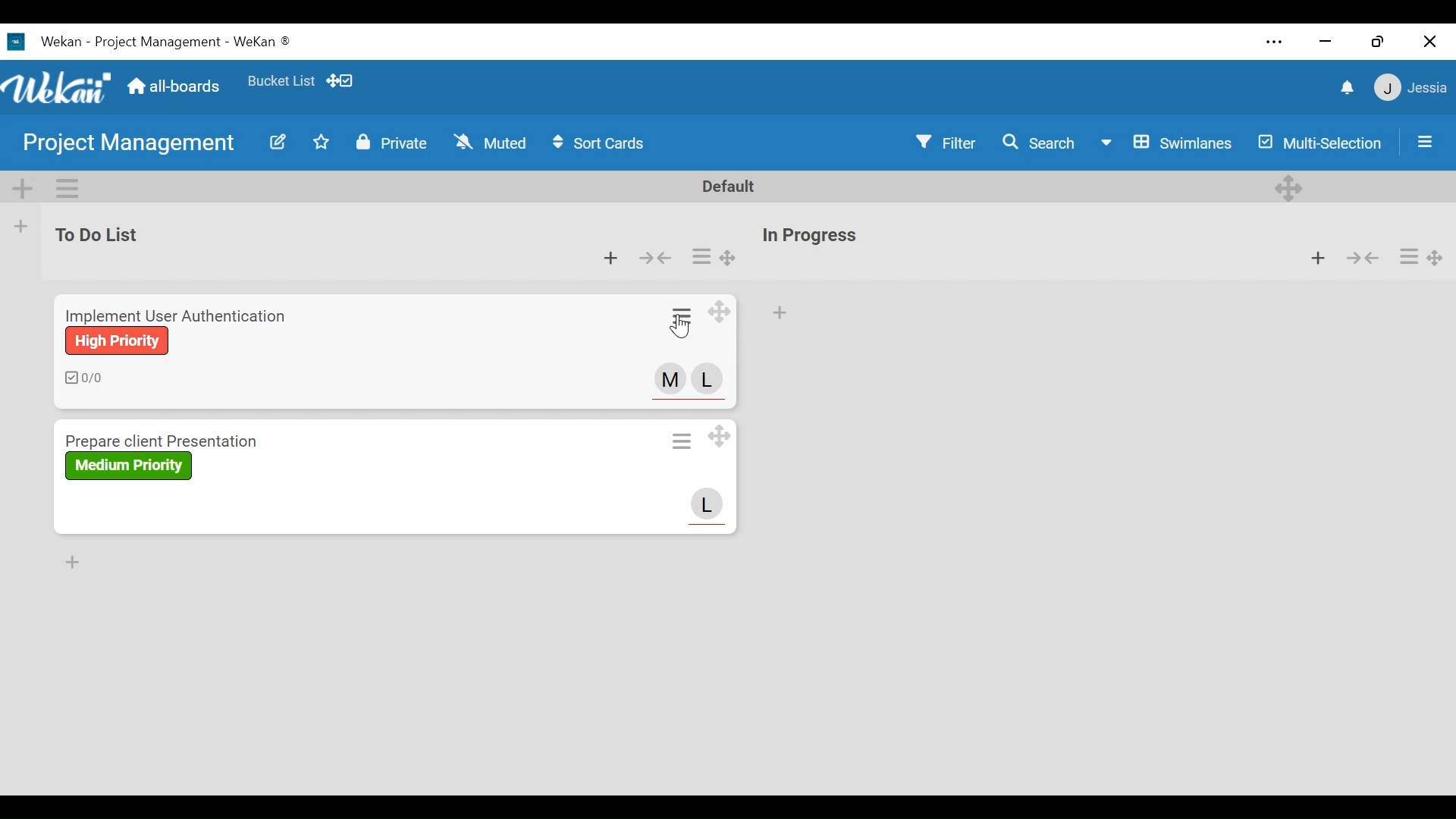 Image resolution: width=1456 pixels, height=819 pixels. I want to click on label, so click(128, 466).